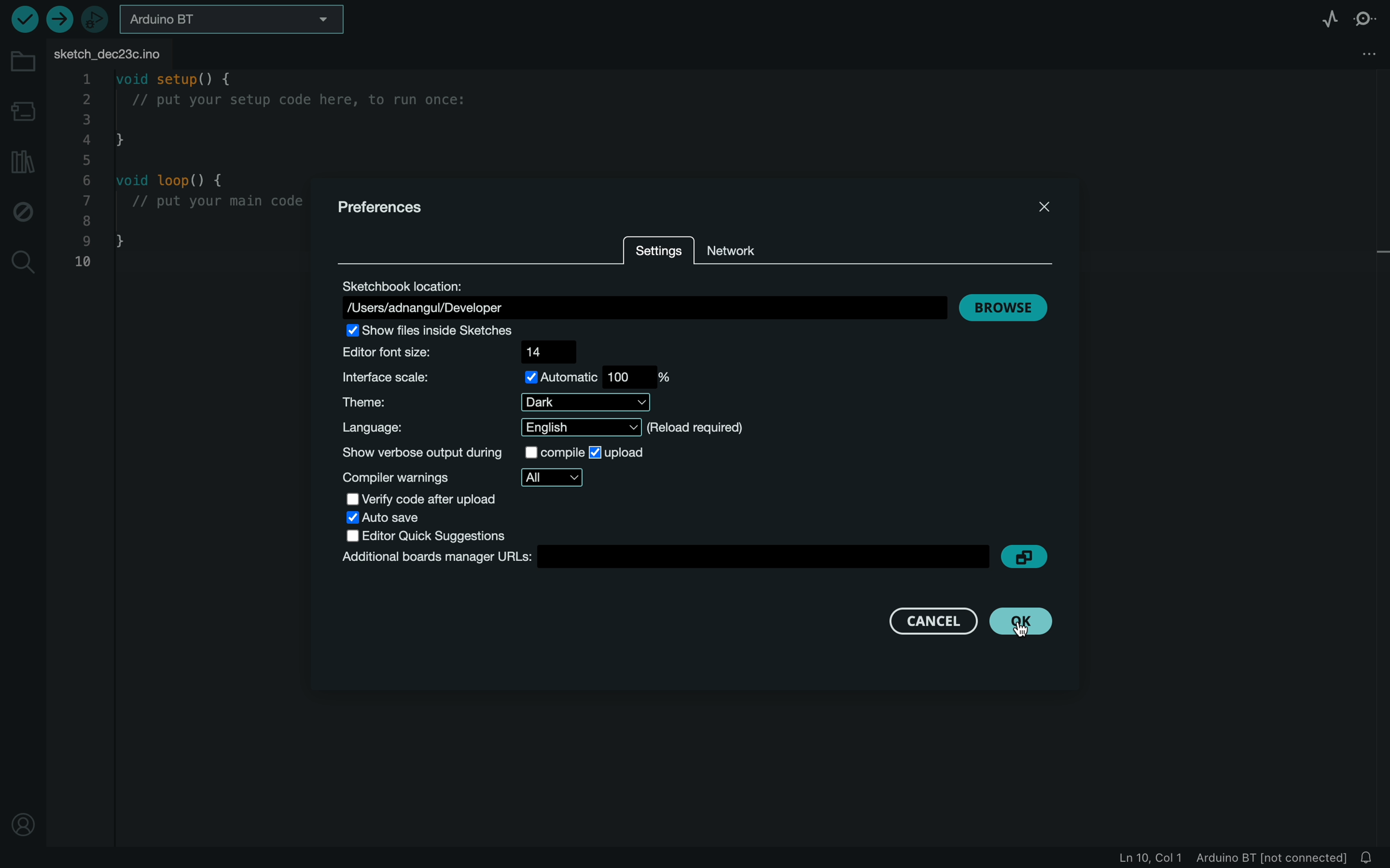  Describe the element at coordinates (472, 478) in the screenshot. I see `compiler` at that location.